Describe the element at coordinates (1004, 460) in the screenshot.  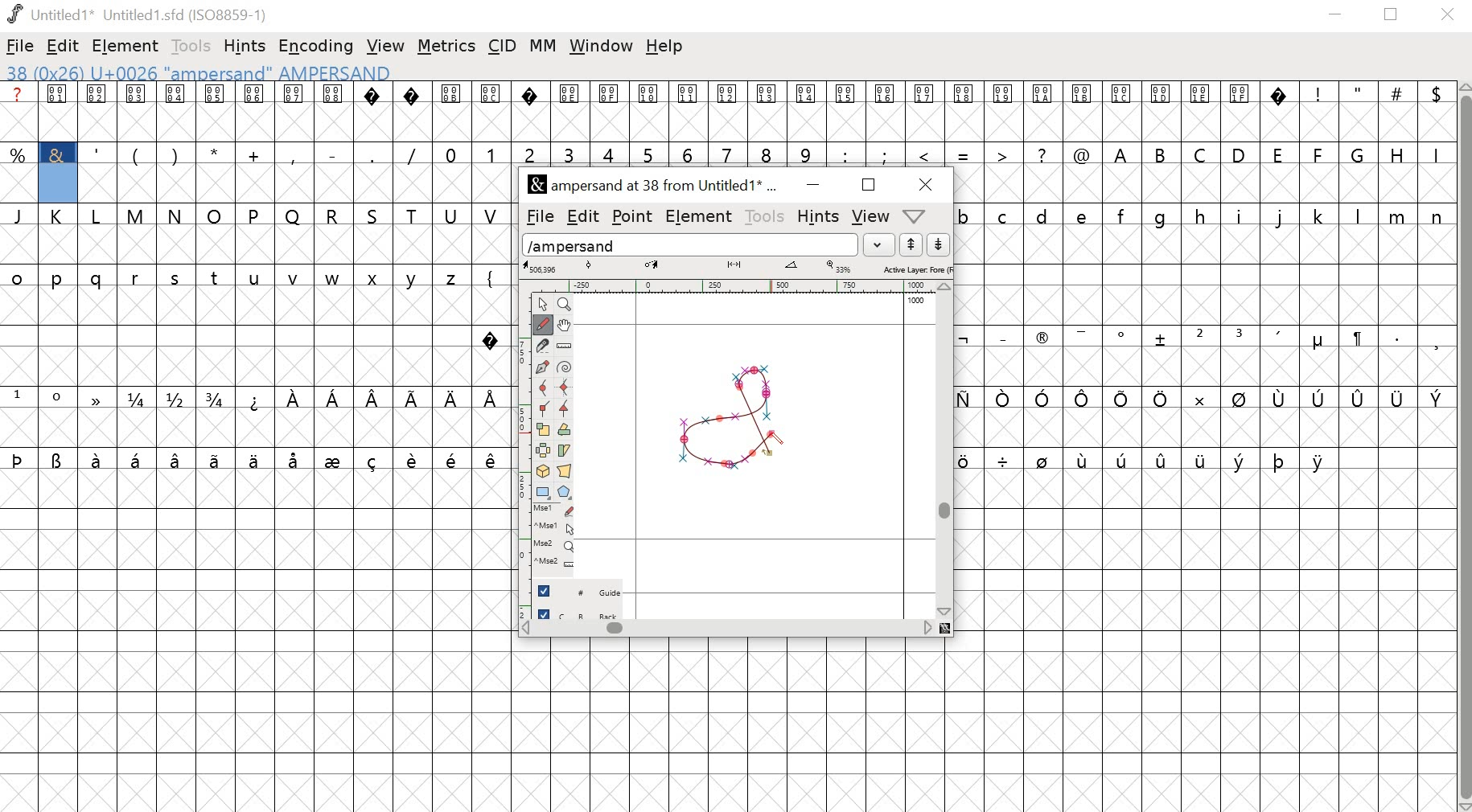
I see `symbol` at that location.